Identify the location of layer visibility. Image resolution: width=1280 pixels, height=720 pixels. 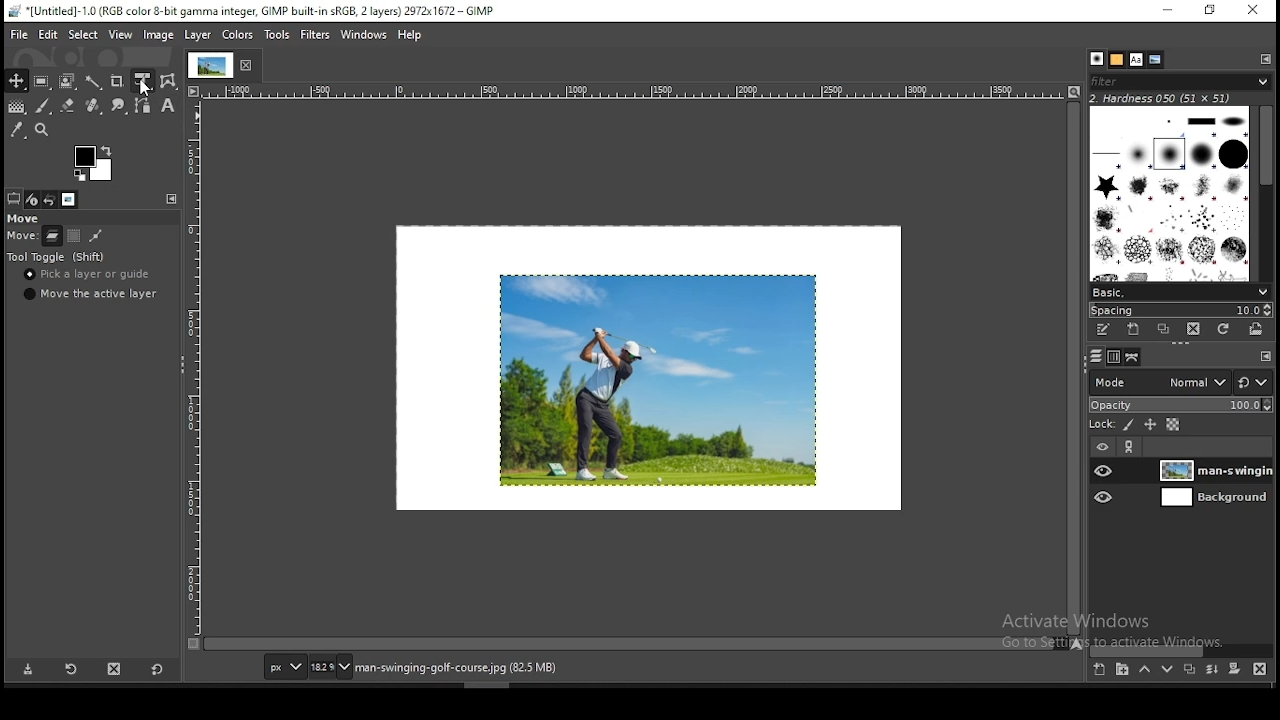
(1102, 448).